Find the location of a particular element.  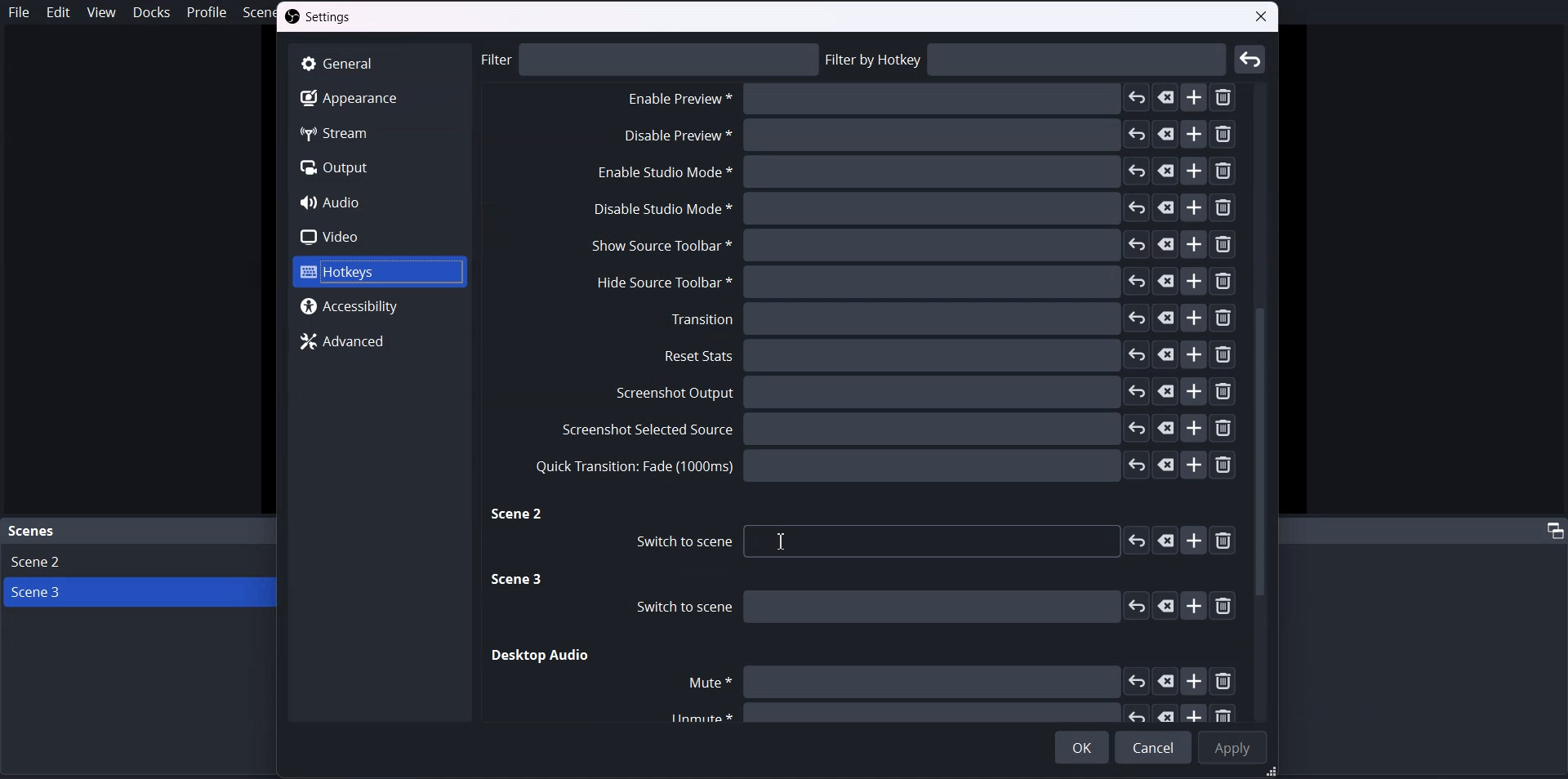

Screenshot output is located at coordinates (927, 393).